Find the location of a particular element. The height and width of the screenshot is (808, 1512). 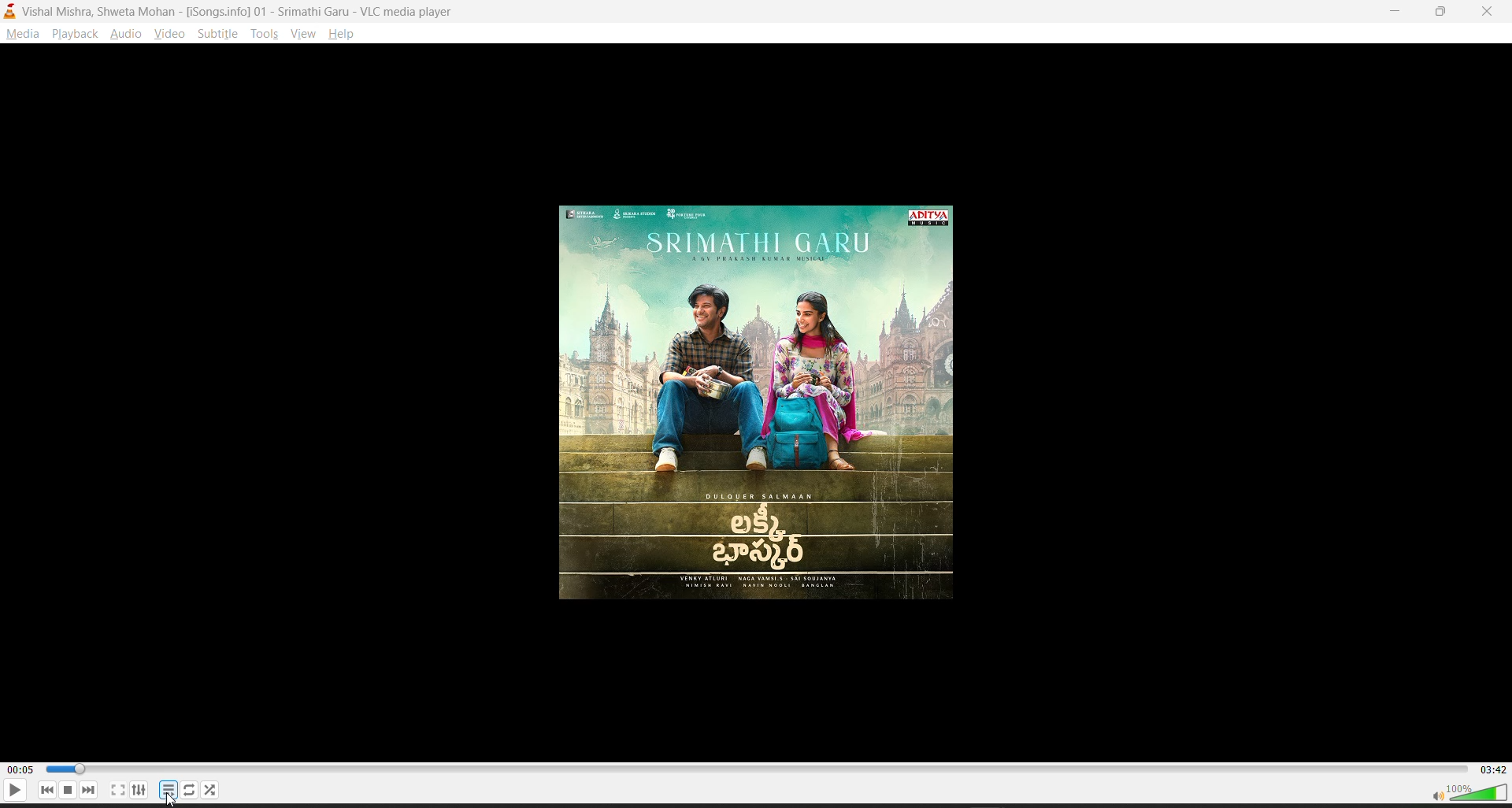

playback is located at coordinates (76, 33).